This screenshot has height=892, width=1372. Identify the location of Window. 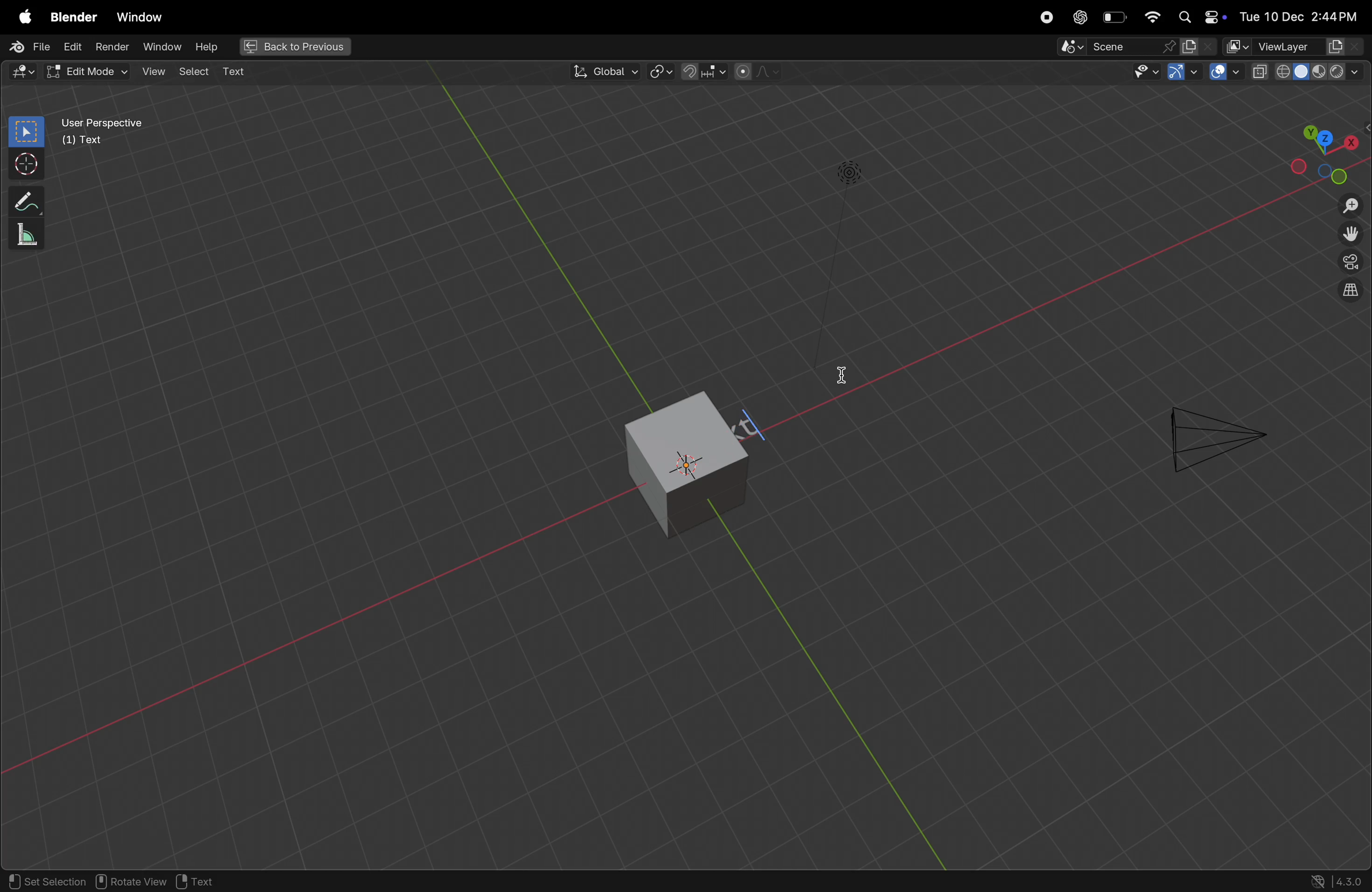
(165, 48).